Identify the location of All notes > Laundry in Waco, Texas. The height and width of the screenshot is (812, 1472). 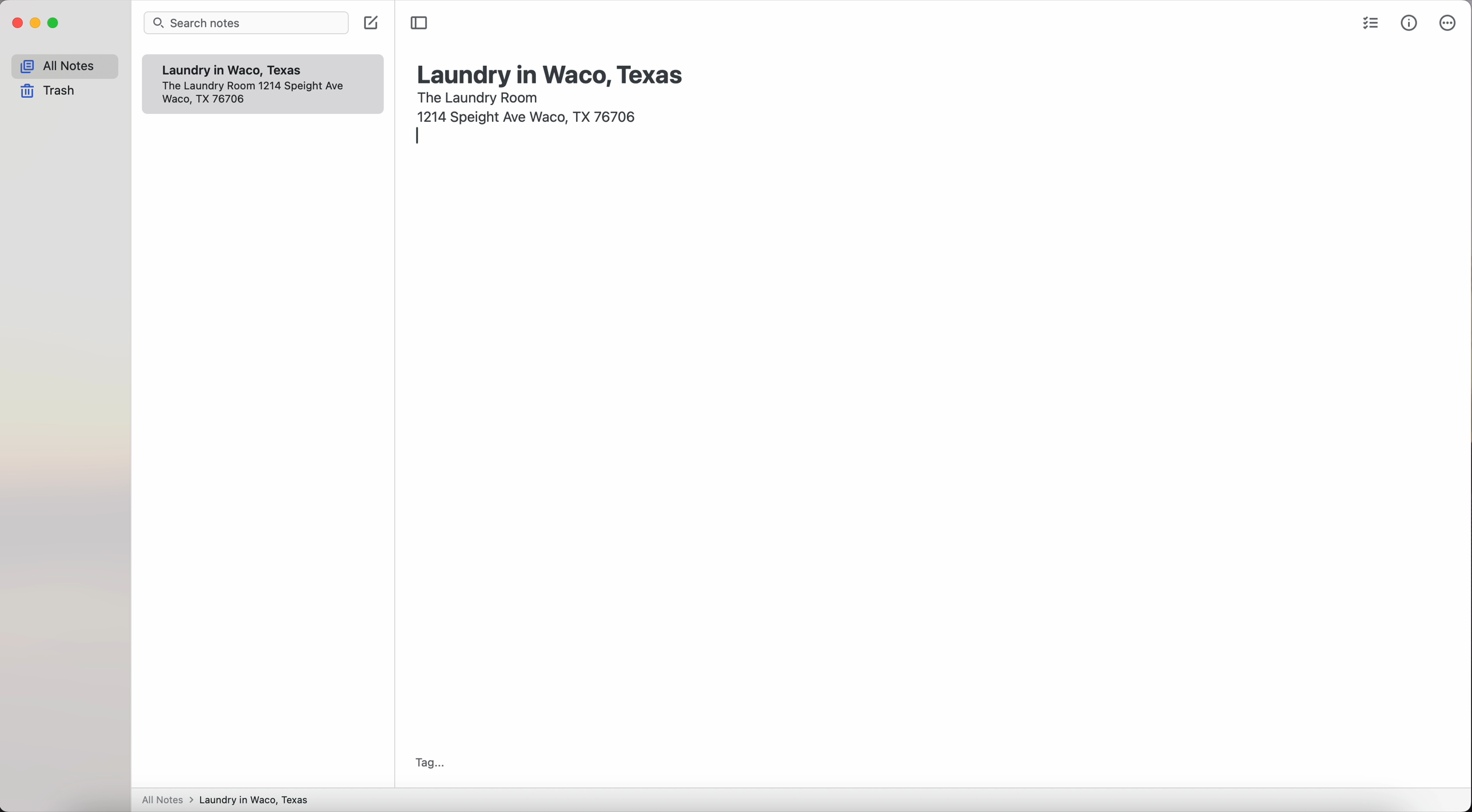
(230, 801).